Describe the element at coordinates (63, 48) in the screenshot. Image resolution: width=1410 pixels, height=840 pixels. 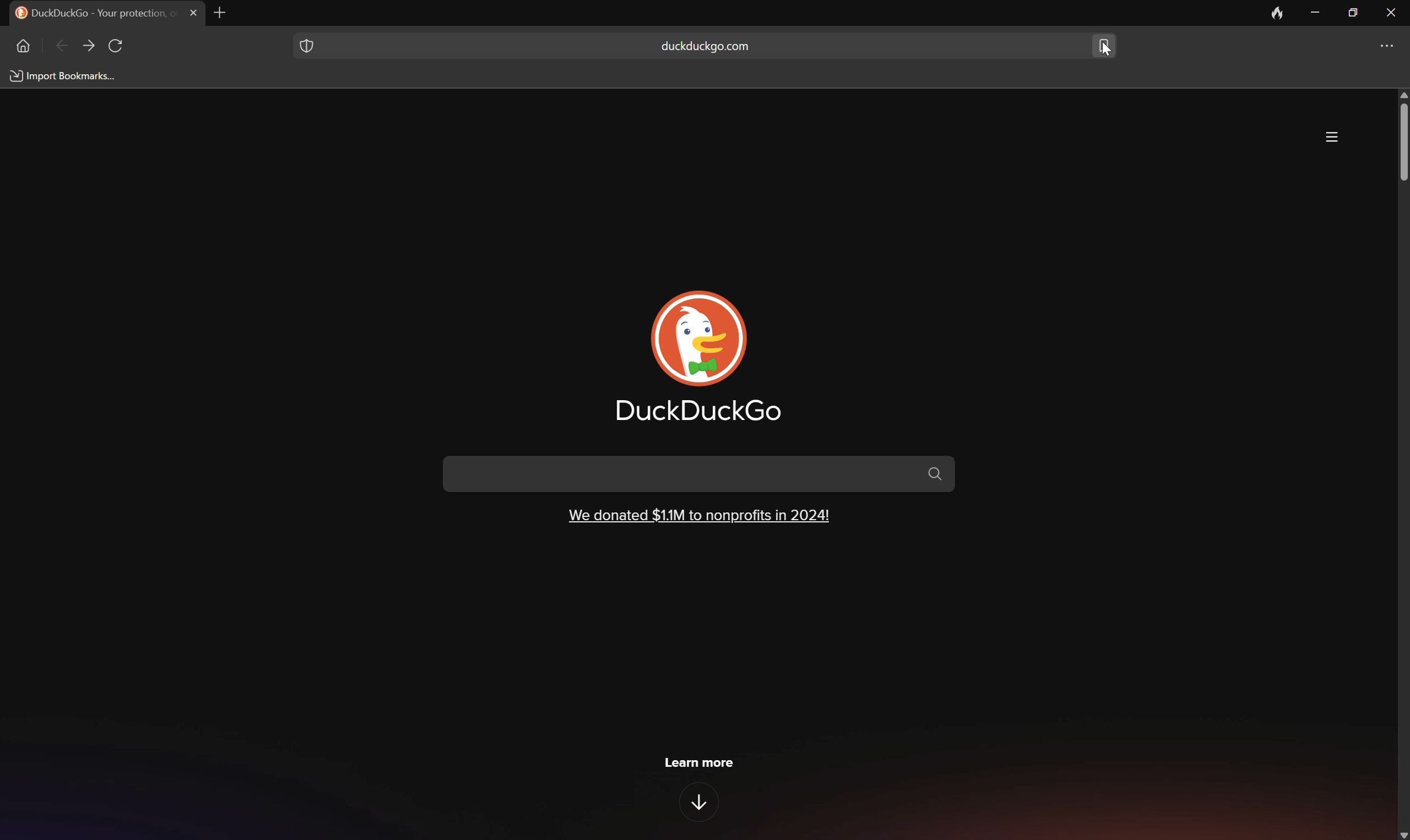
I see `Previous` at that location.